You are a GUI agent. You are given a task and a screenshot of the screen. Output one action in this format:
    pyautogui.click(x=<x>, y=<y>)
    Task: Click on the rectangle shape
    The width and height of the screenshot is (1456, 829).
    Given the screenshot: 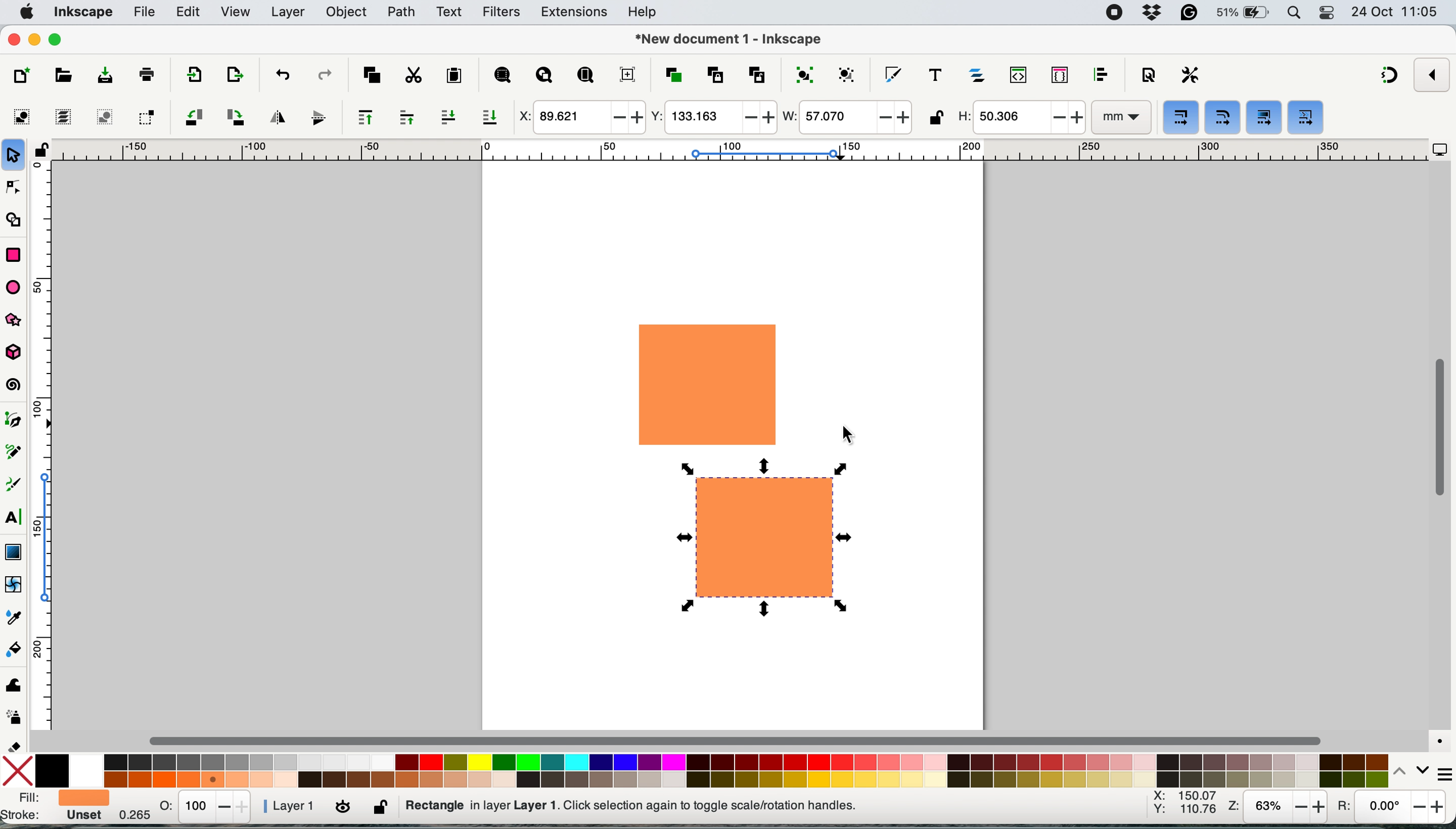 What is the action you would take?
    pyautogui.click(x=708, y=384)
    